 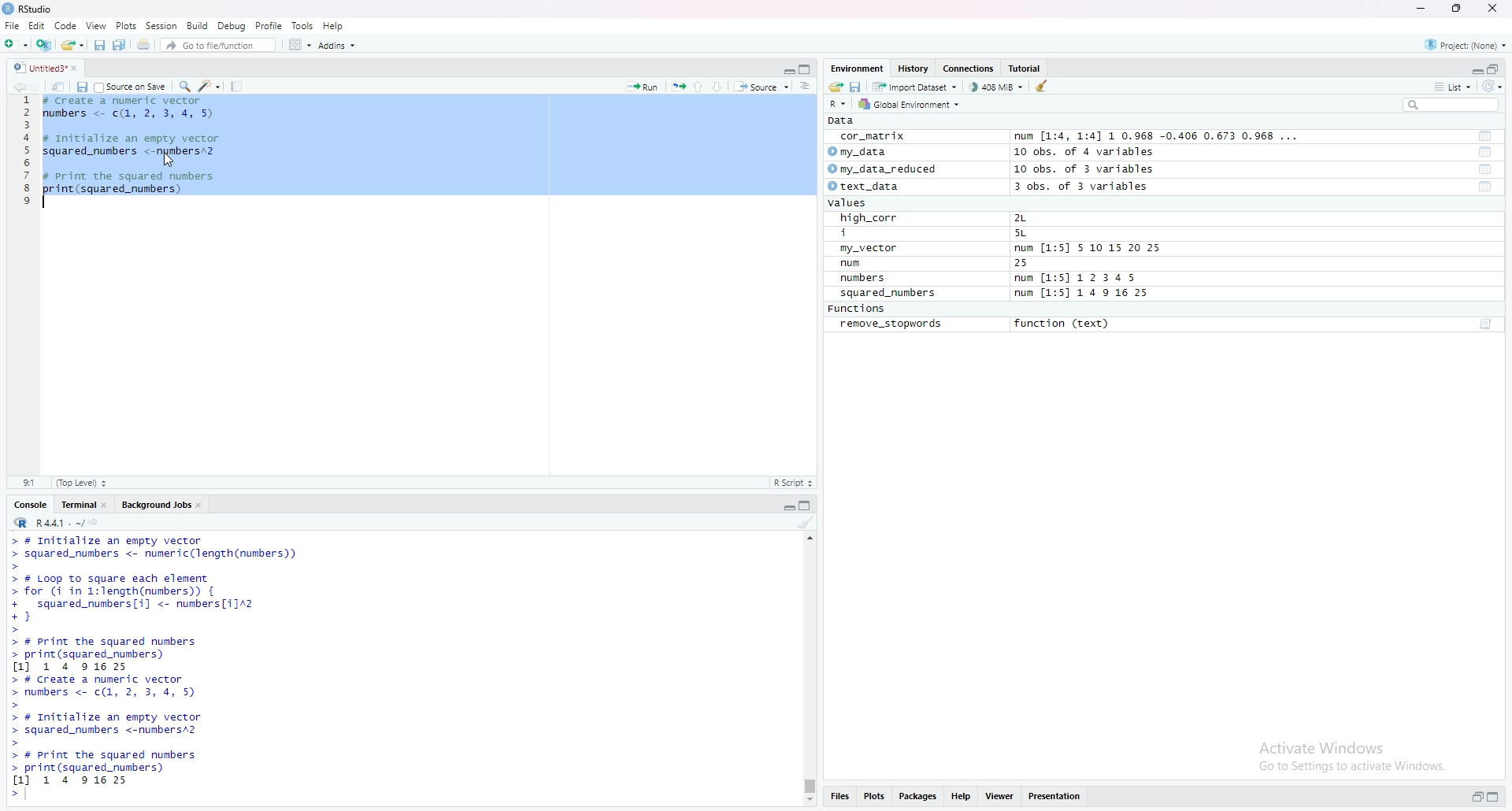 I want to click on Save All open documents, so click(x=120, y=43).